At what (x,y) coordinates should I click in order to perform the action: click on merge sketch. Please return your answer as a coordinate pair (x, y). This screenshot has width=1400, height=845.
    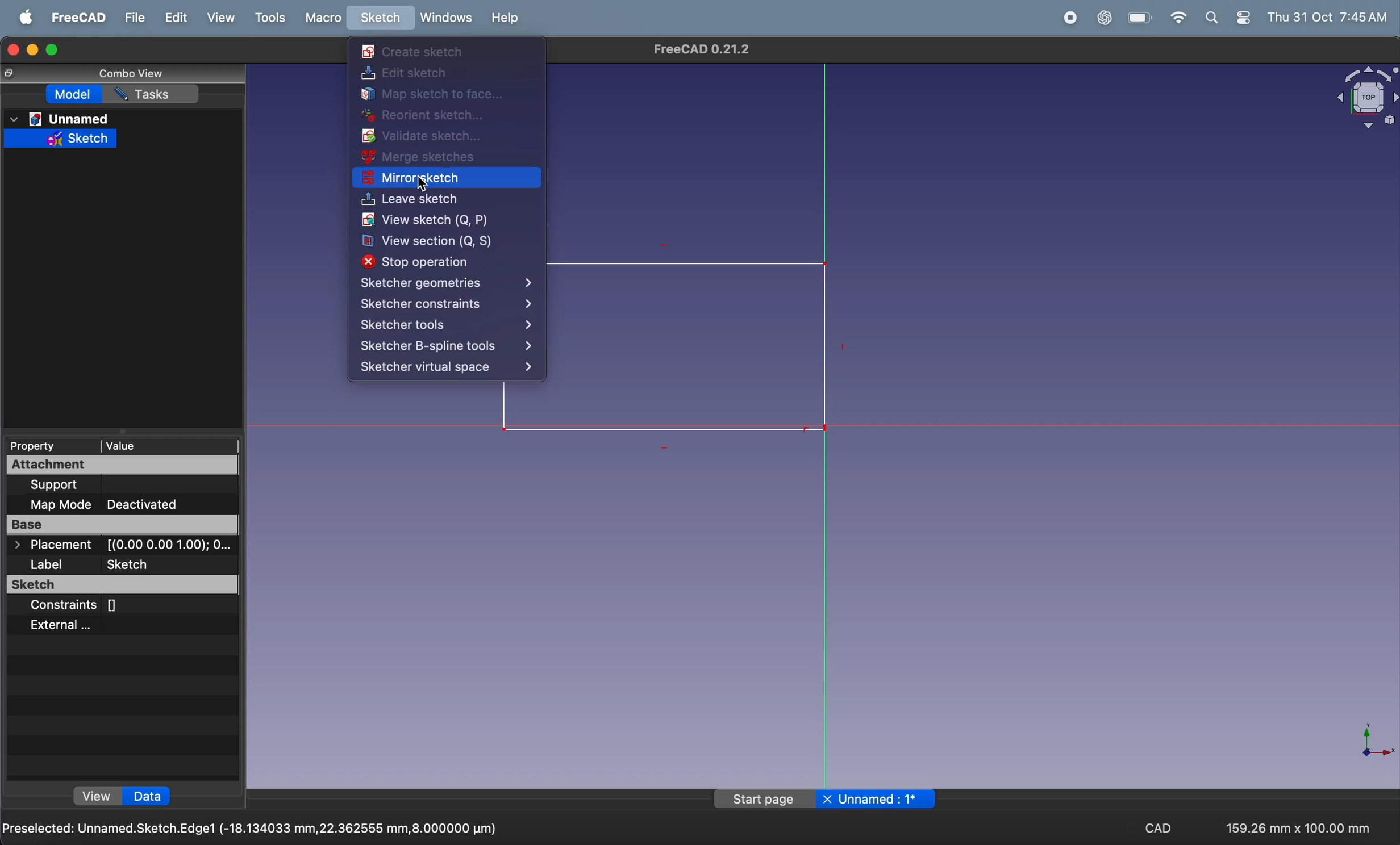
    Looking at the image, I should click on (432, 157).